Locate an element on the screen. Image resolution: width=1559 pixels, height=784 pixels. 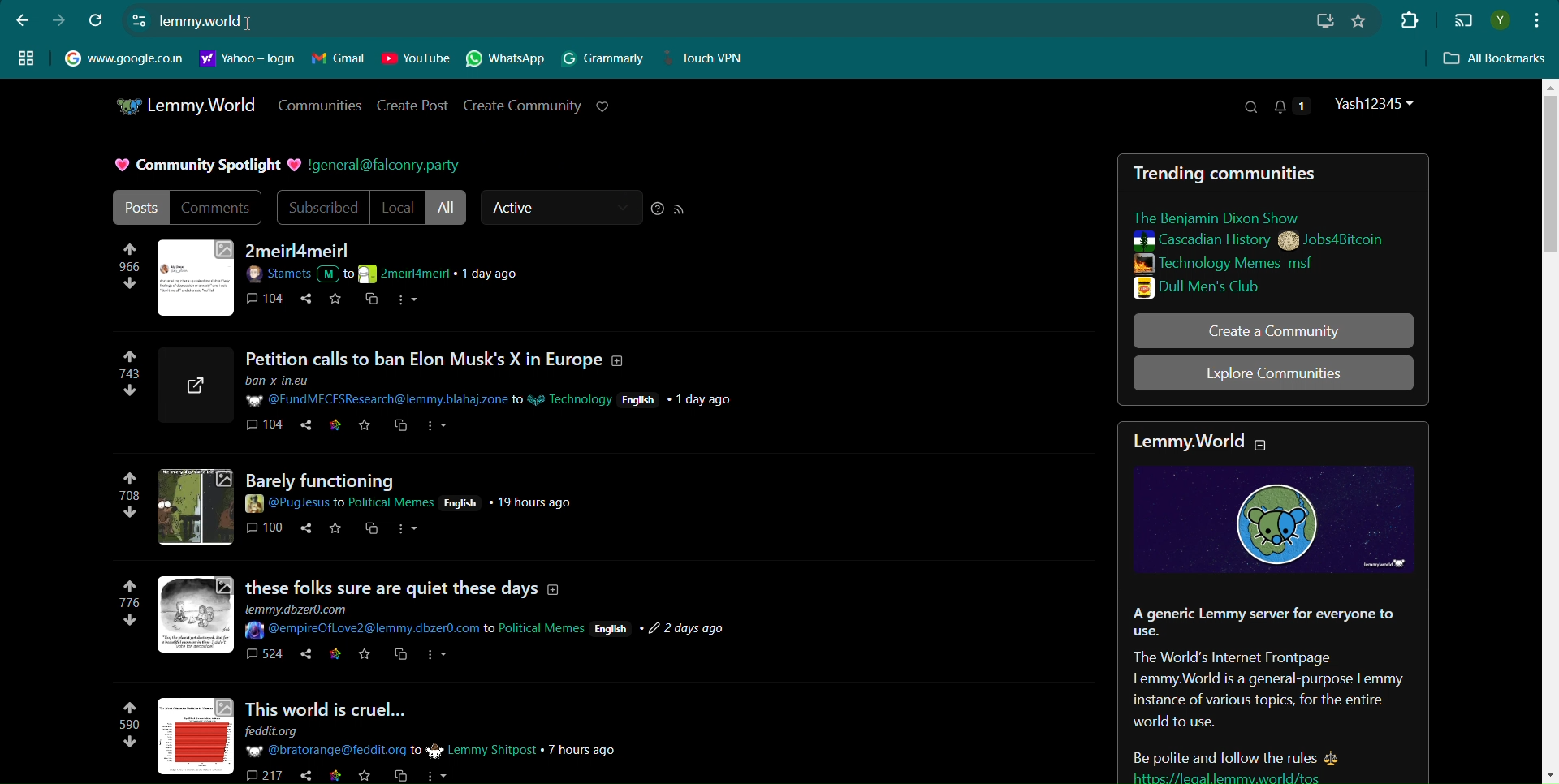
Active is located at coordinates (560, 208).